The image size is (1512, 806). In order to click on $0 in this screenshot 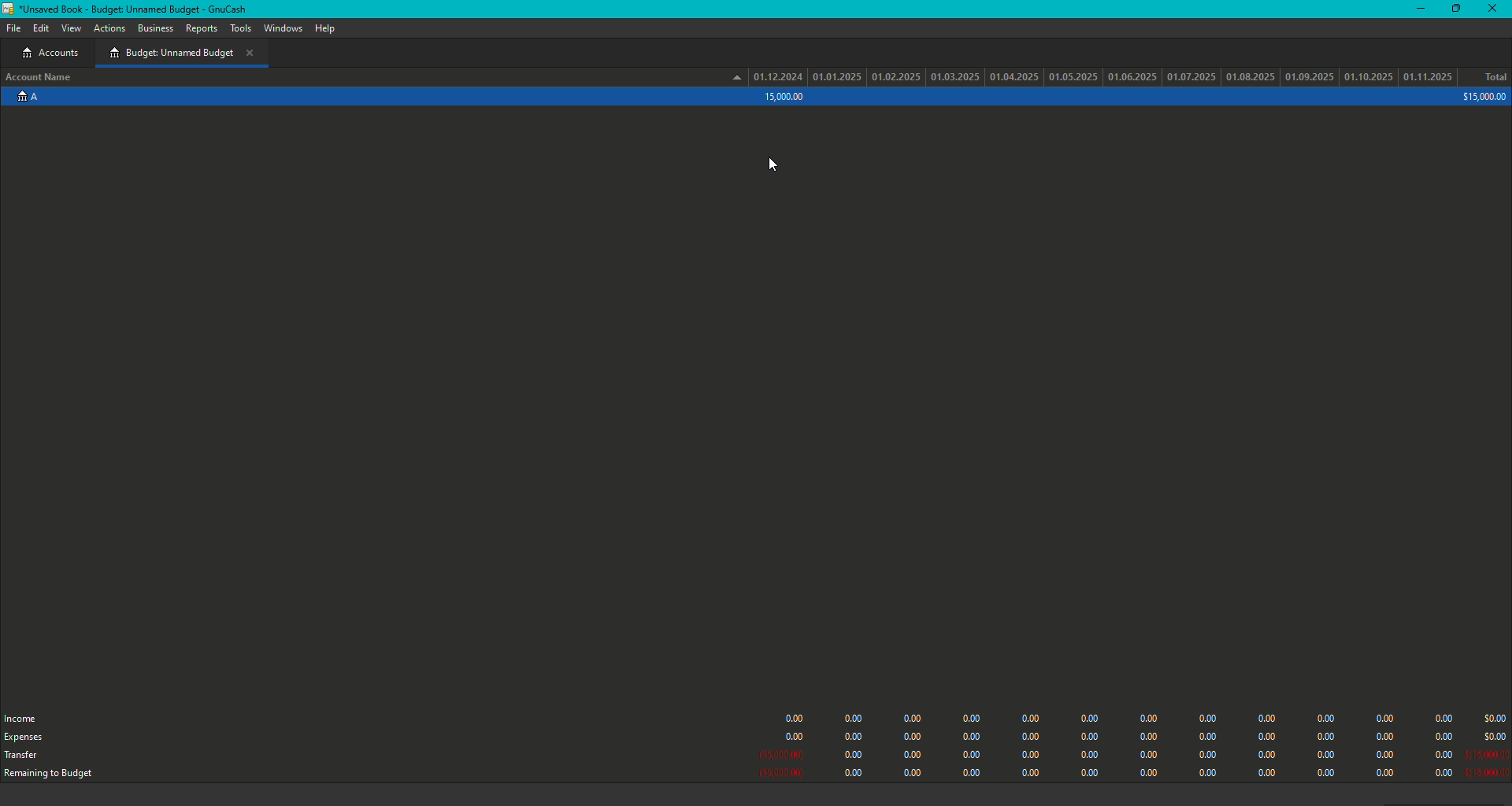, I will do `click(1133, 741)`.